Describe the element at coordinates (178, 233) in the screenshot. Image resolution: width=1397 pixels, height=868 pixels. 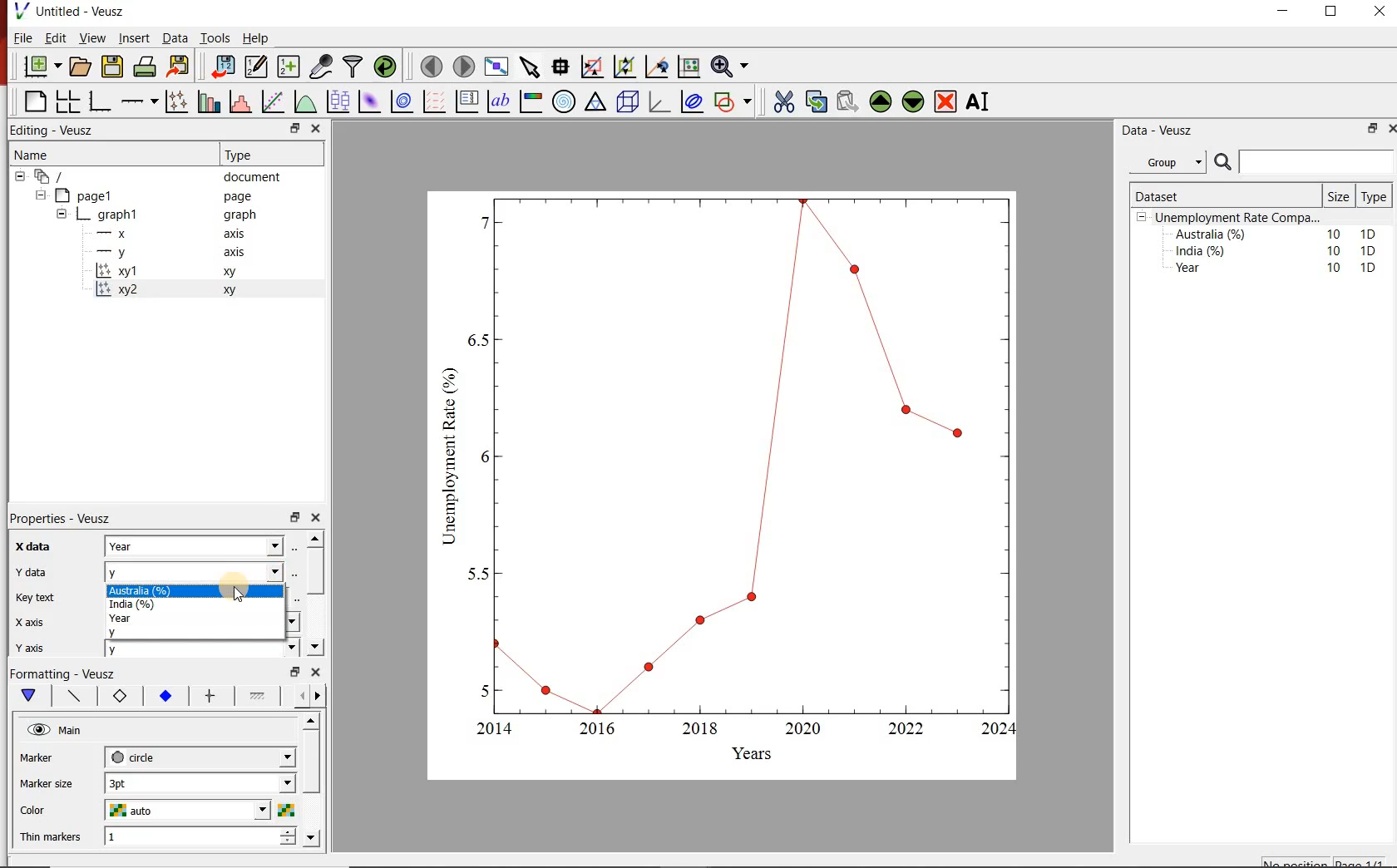
I see `x axis` at that location.